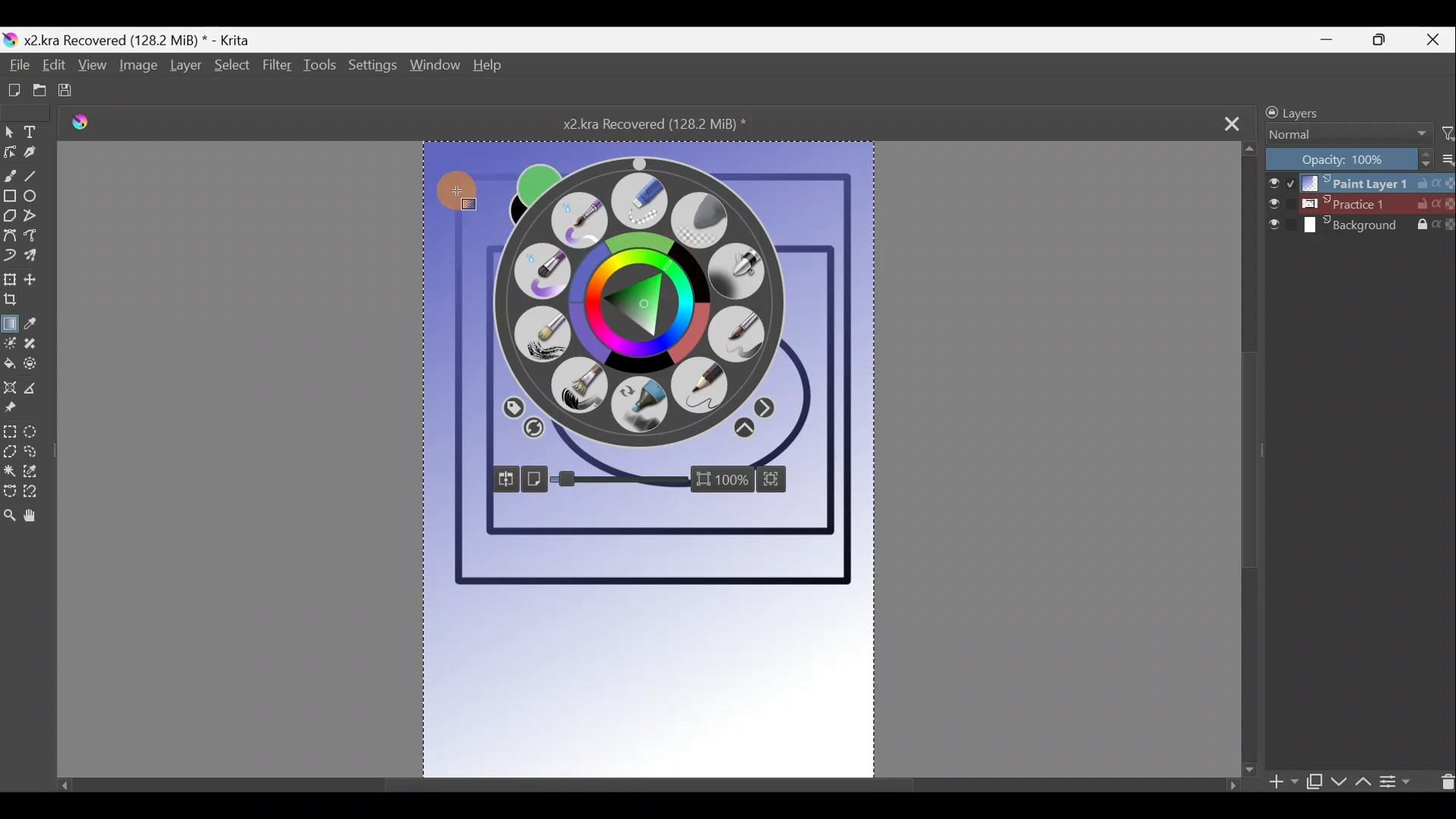  What do you see at coordinates (461, 185) in the screenshot?
I see `Cursor` at bounding box center [461, 185].